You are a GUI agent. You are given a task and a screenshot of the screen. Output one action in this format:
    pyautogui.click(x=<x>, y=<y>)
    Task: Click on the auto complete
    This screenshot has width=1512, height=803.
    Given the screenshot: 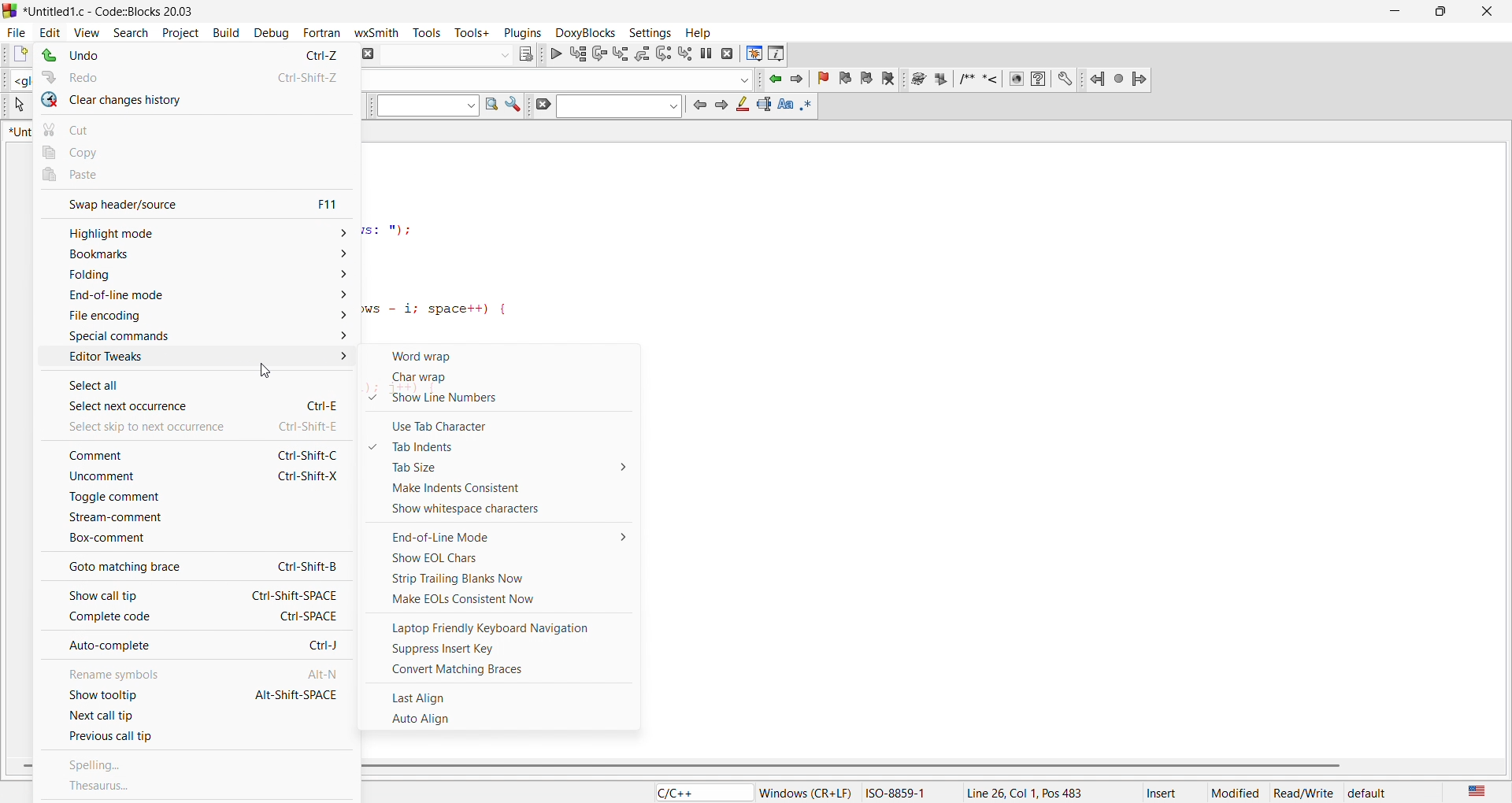 What is the action you would take?
    pyautogui.click(x=122, y=647)
    